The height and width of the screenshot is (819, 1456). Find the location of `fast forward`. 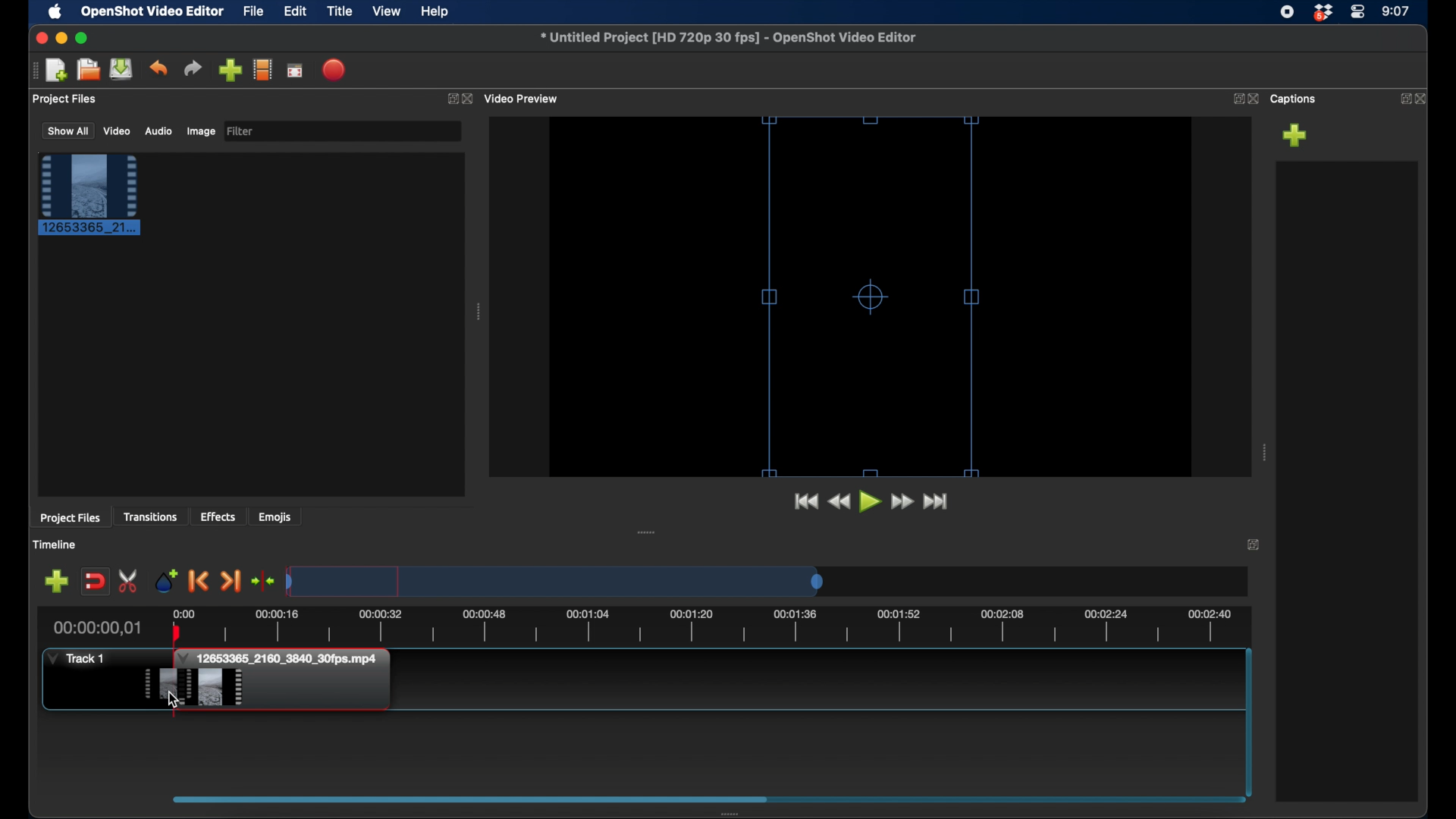

fast forward is located at coordinates (903, 501).